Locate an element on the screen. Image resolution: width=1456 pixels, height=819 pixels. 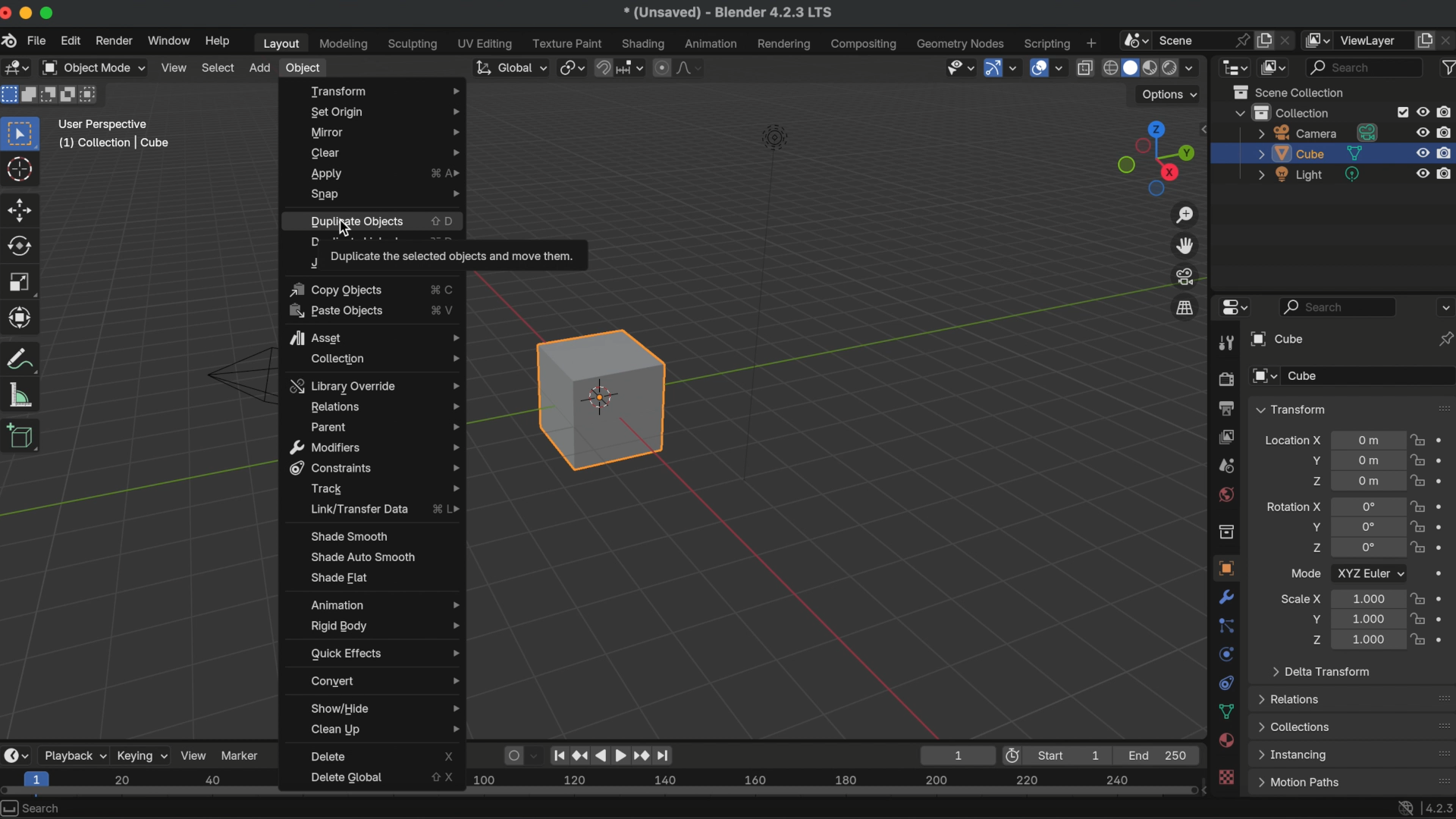
instancing is located at coordinates (1296, 755).